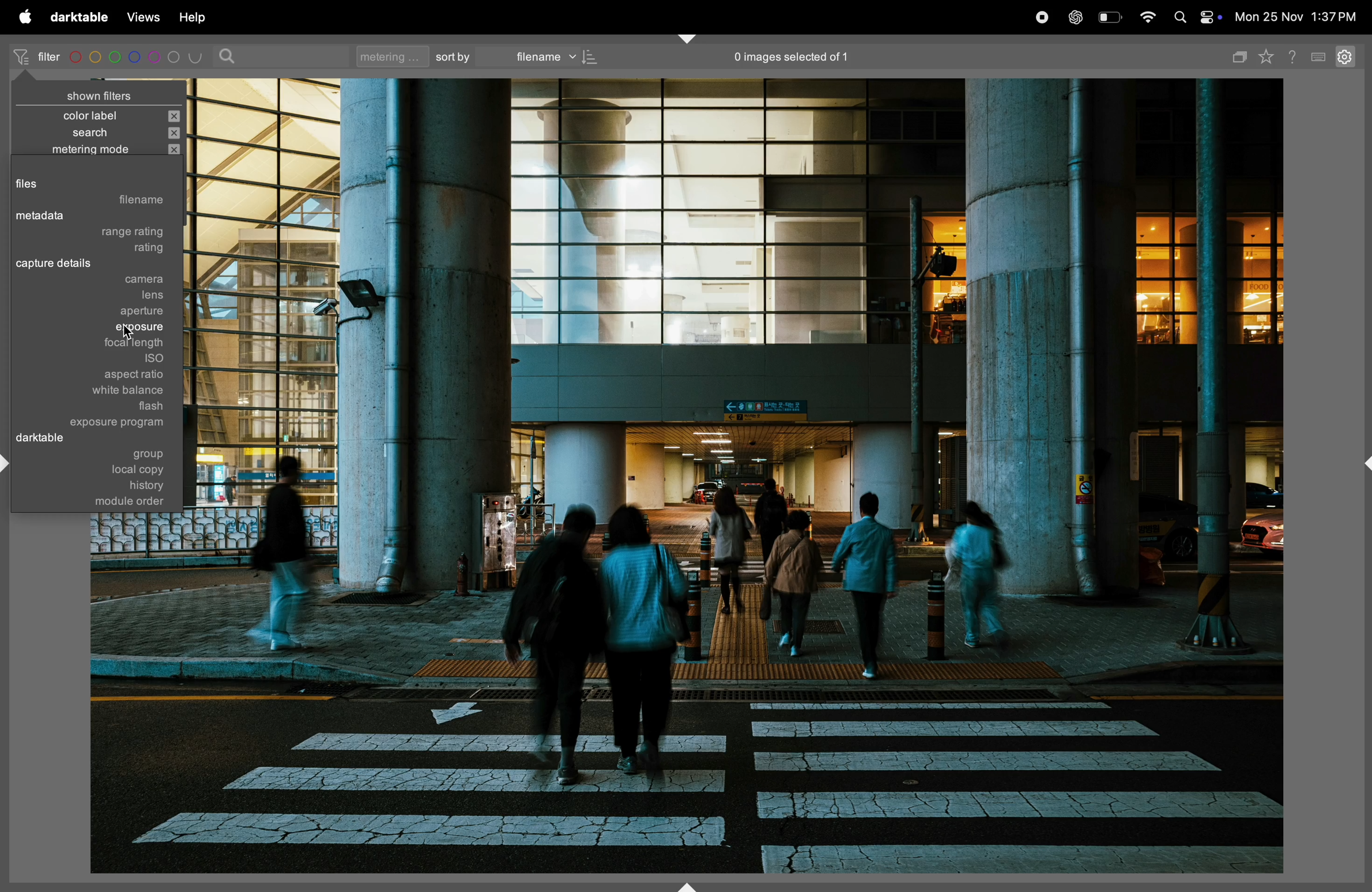 The height and width of the screenshot is (892, 1372). I want to click on favourites, so click(1269, 58).